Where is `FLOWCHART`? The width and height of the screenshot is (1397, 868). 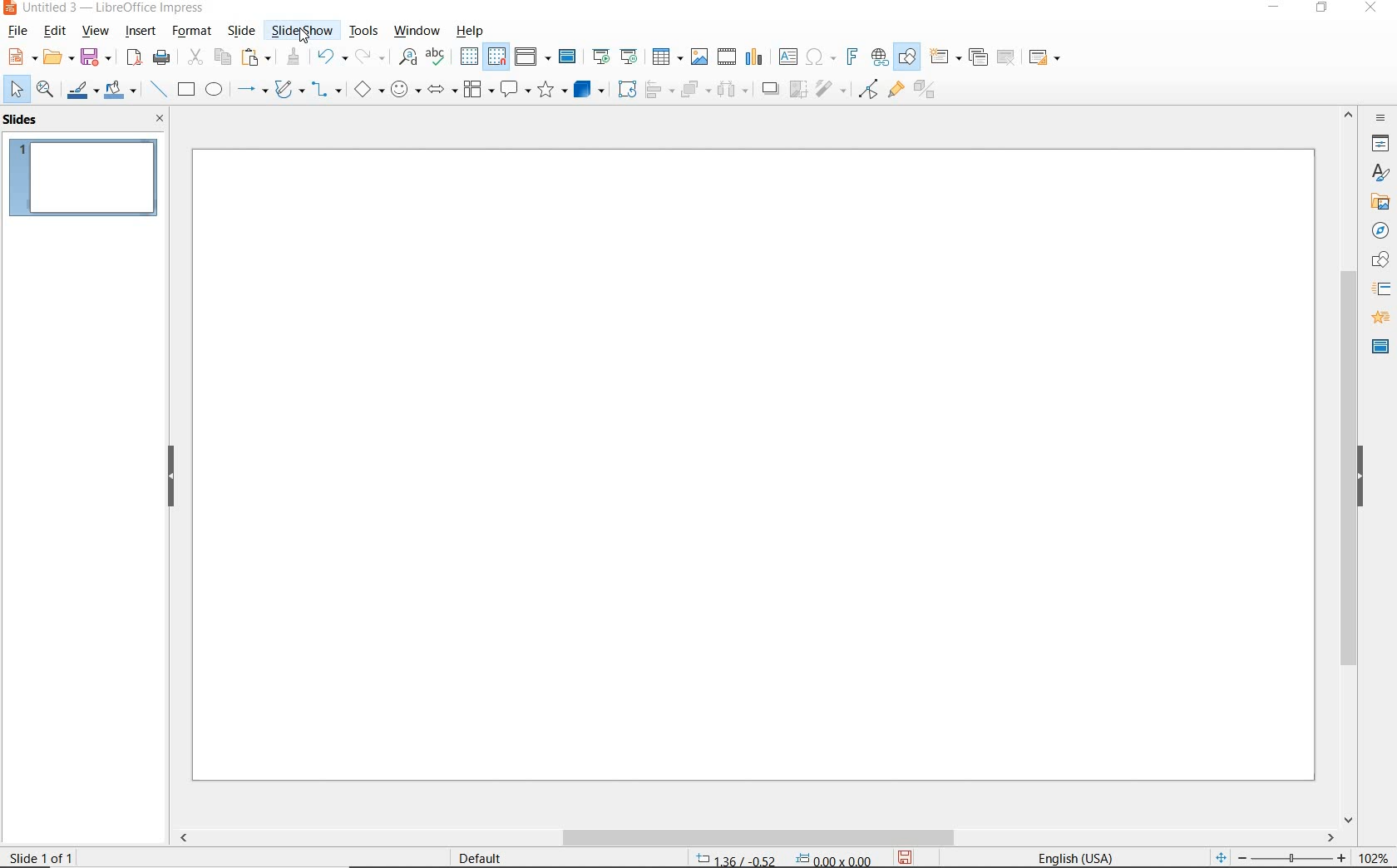
FLOWCHART is located at coordinates (477, 90).